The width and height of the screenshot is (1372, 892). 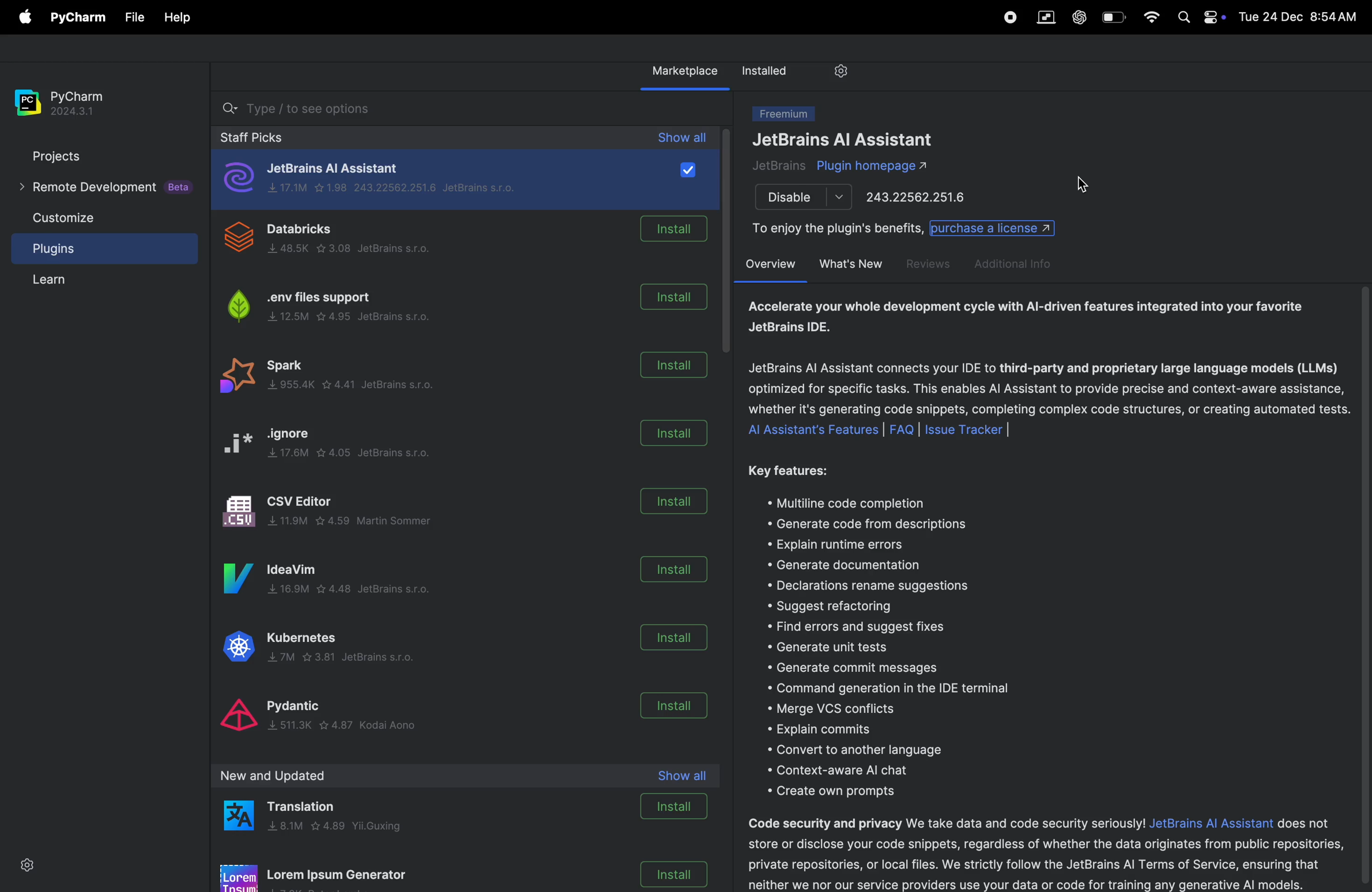 What do you see at coordinates (1045, 851) in the screenshot?
I see `security desription` at bounding box center [1045, 851].